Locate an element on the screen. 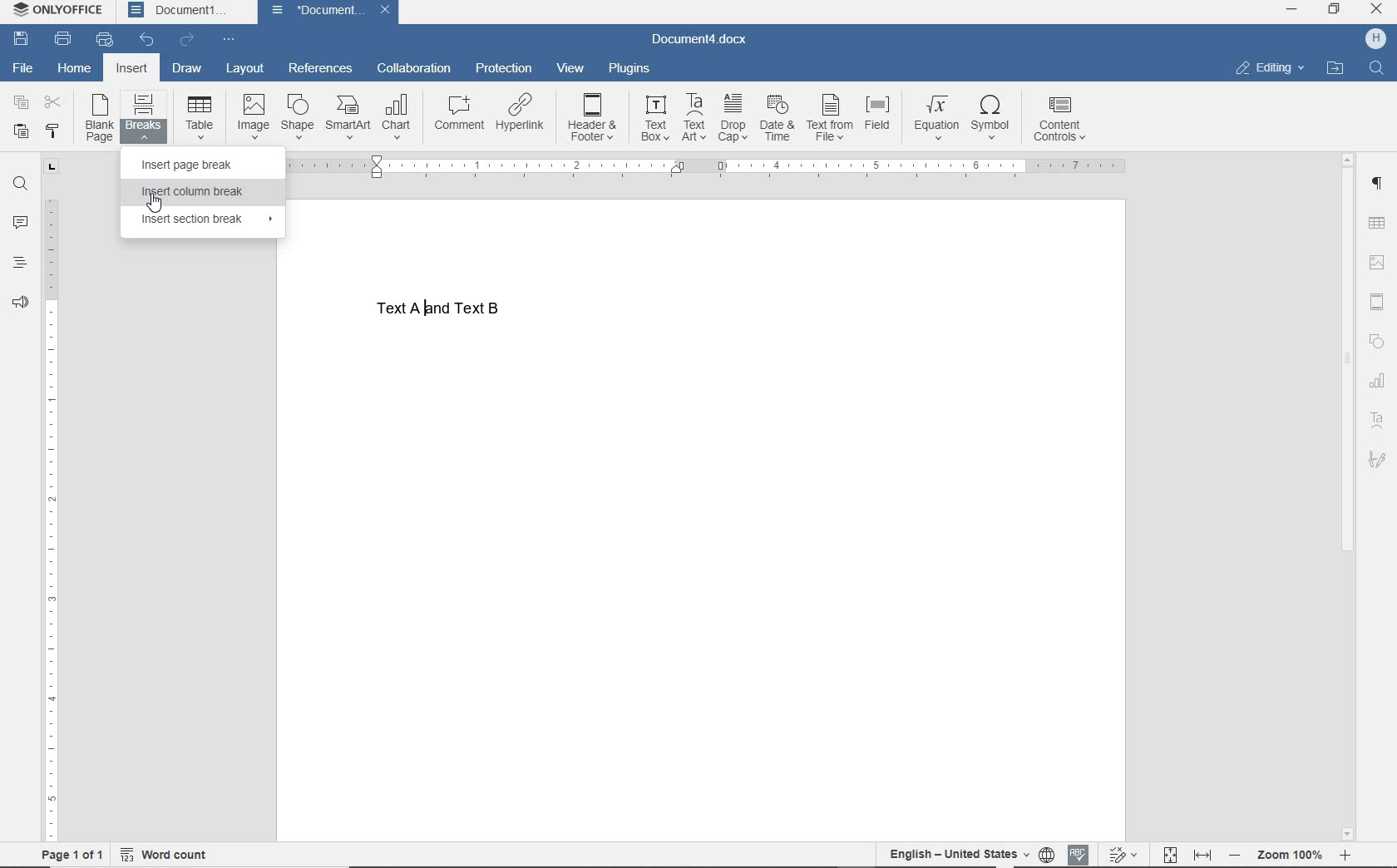 The width and height of the screenshot is (1397, 868). FIT TO PAGE is located at coordinates (1170, 853).